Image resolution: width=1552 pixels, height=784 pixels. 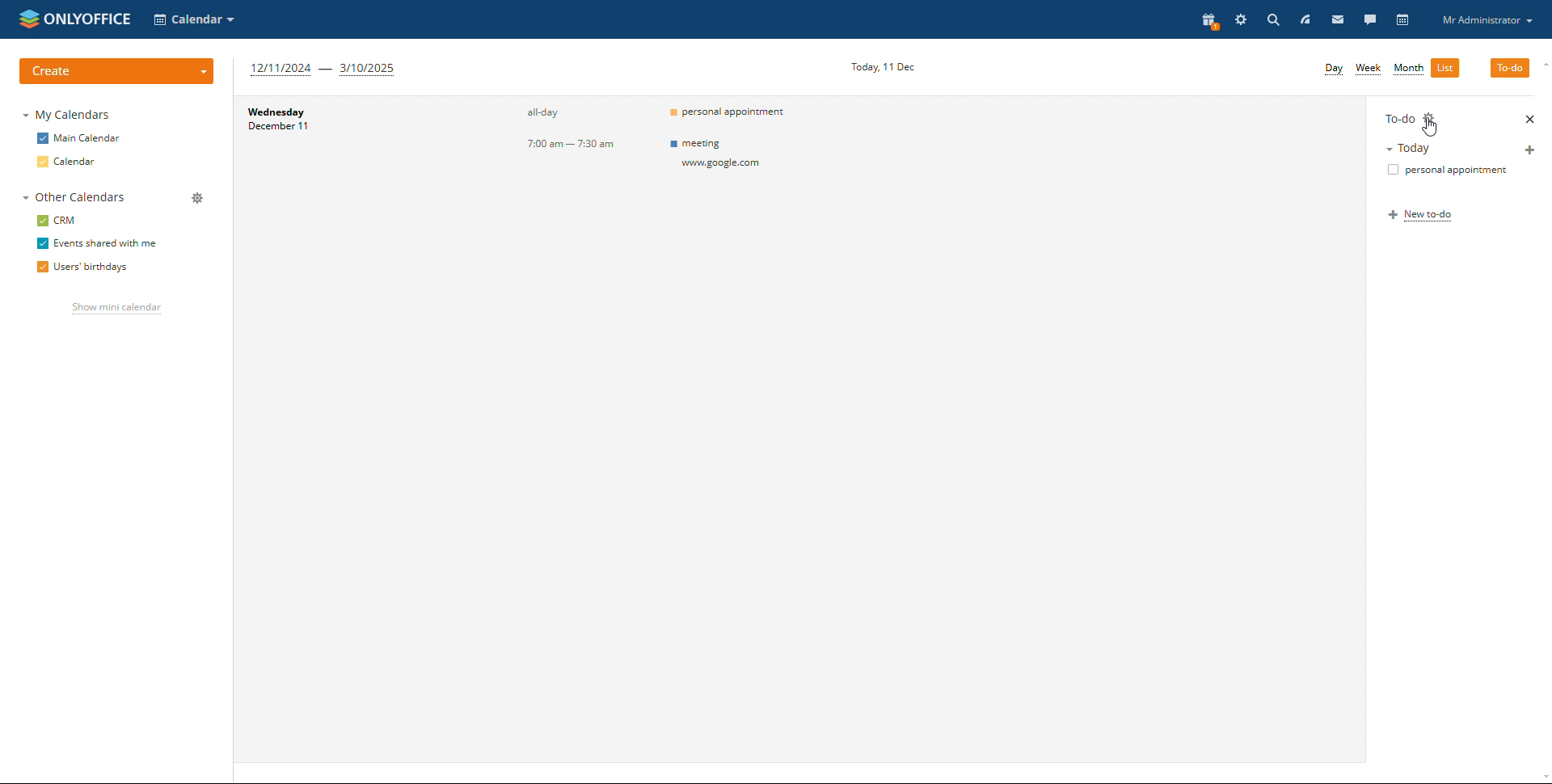 What do you see at coordinates (57, 221) in the screenshot?
I see `crm` at bounding box center [57, 221].